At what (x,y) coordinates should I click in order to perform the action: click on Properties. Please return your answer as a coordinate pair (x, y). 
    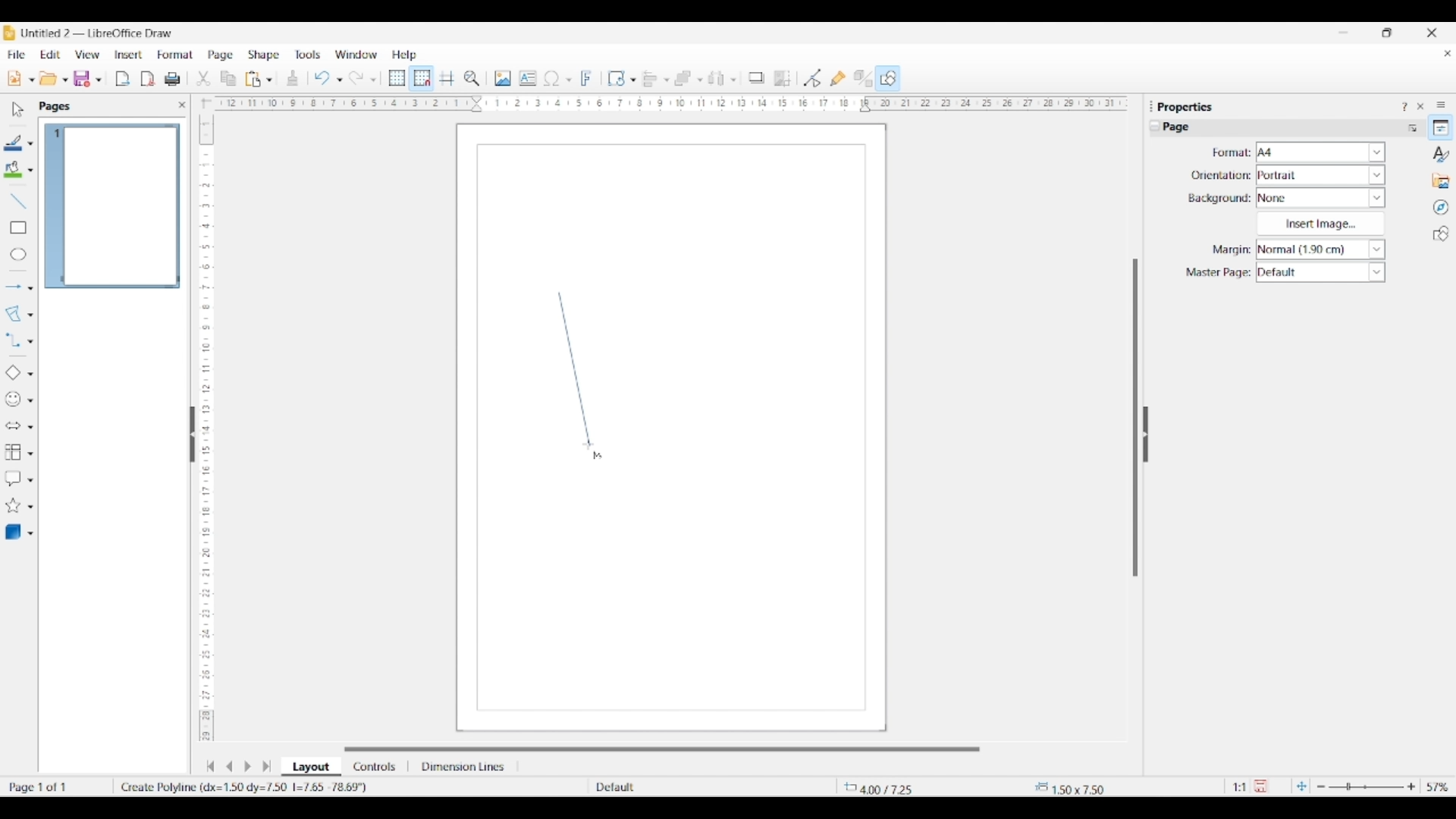
    Looking at the image, I should click on (1441, 127).